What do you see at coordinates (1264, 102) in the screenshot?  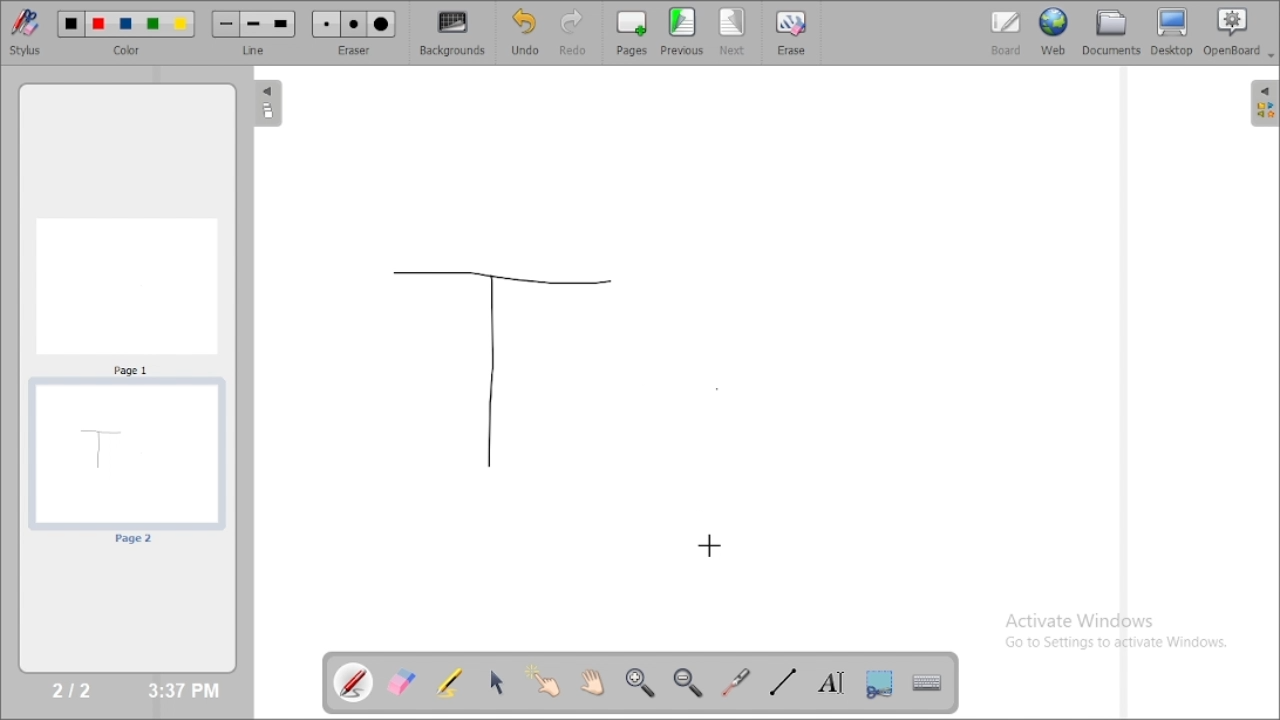 I see `The library` at bounding box center [1264, 102].